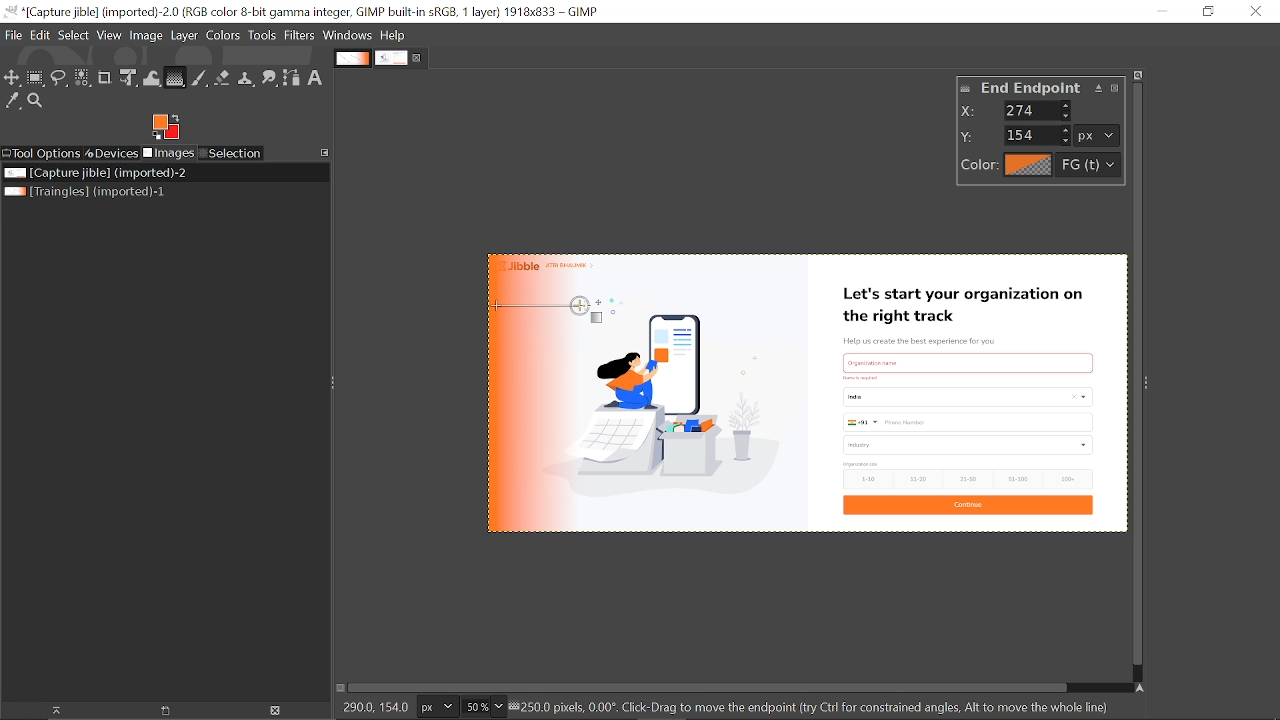 This screenshot has width=1280, height=720. I want to click on Rectangular tool, so click(37, 80).